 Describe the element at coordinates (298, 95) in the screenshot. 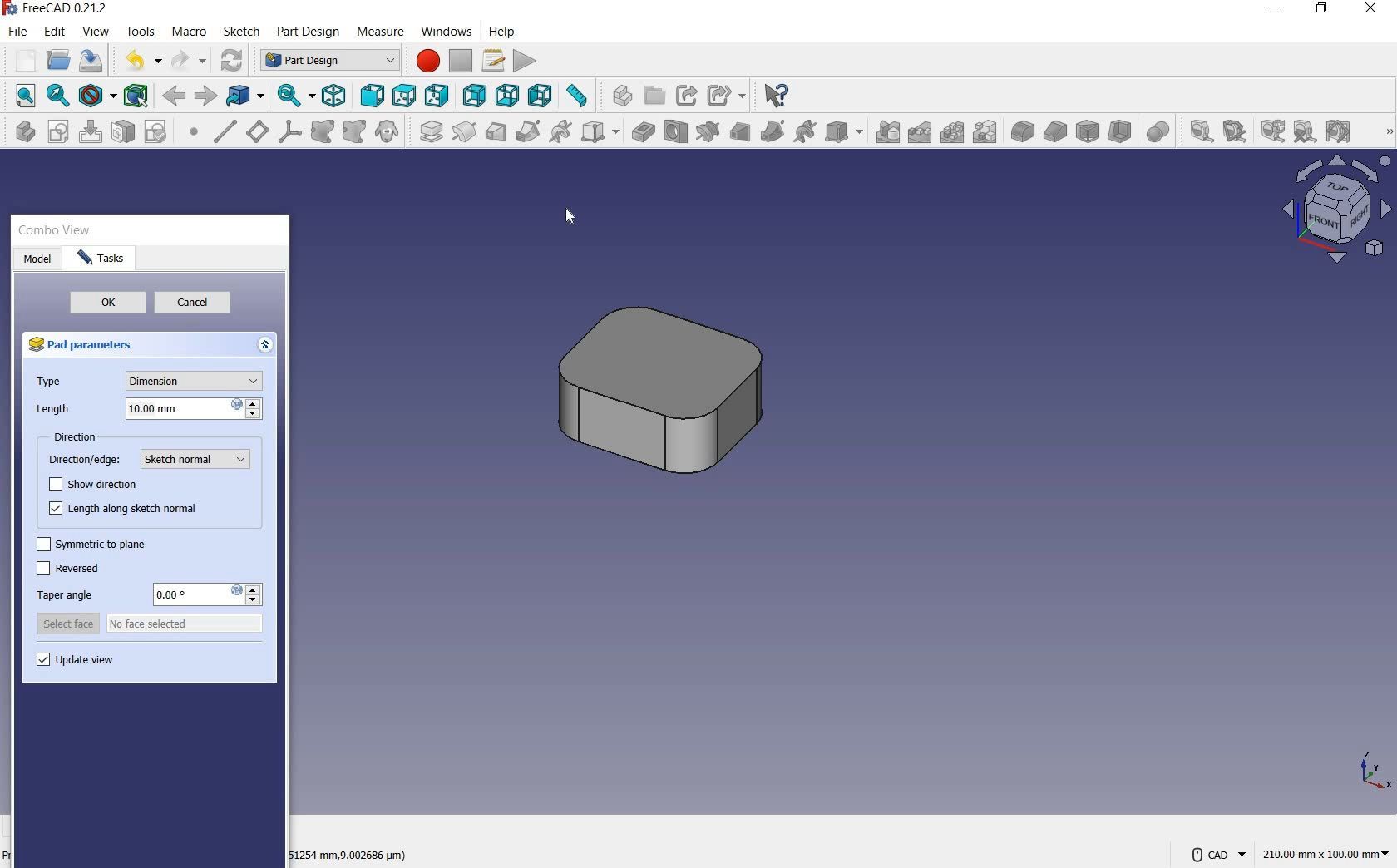

I see `sync view` at that location.